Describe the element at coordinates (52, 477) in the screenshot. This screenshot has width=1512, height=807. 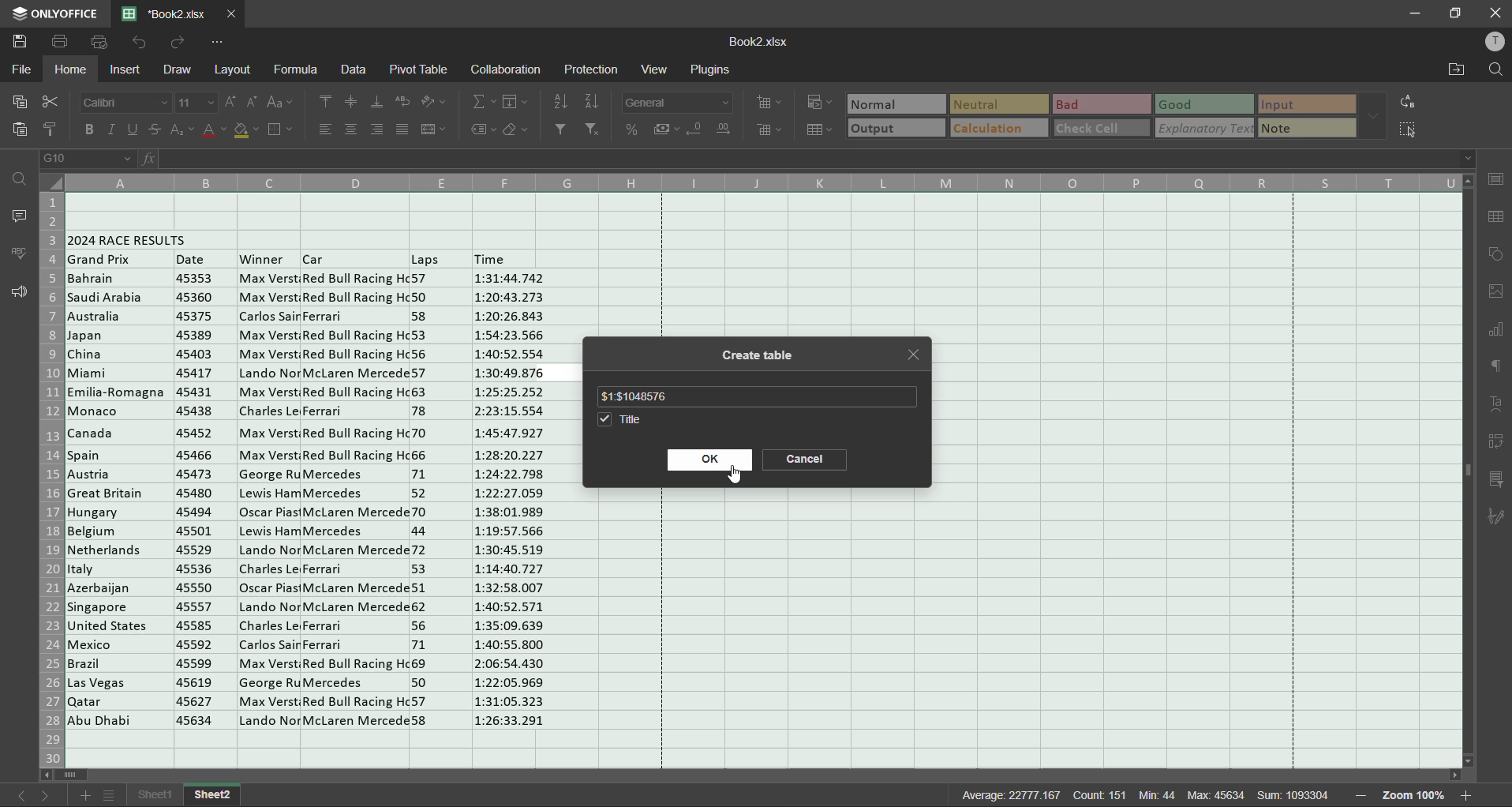
I see `row numbers` at that location.